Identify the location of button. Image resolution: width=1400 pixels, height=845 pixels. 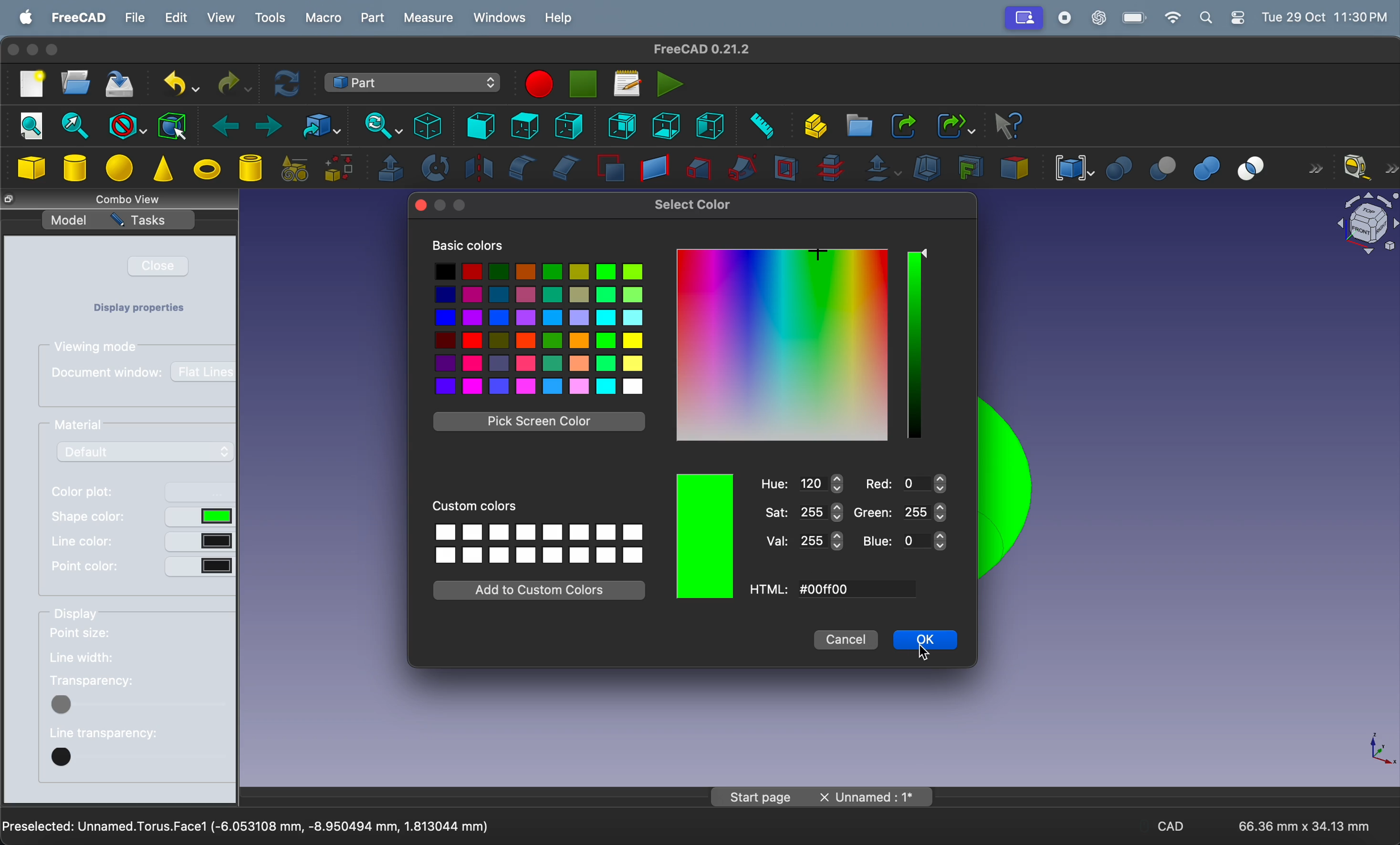
(200, 492).